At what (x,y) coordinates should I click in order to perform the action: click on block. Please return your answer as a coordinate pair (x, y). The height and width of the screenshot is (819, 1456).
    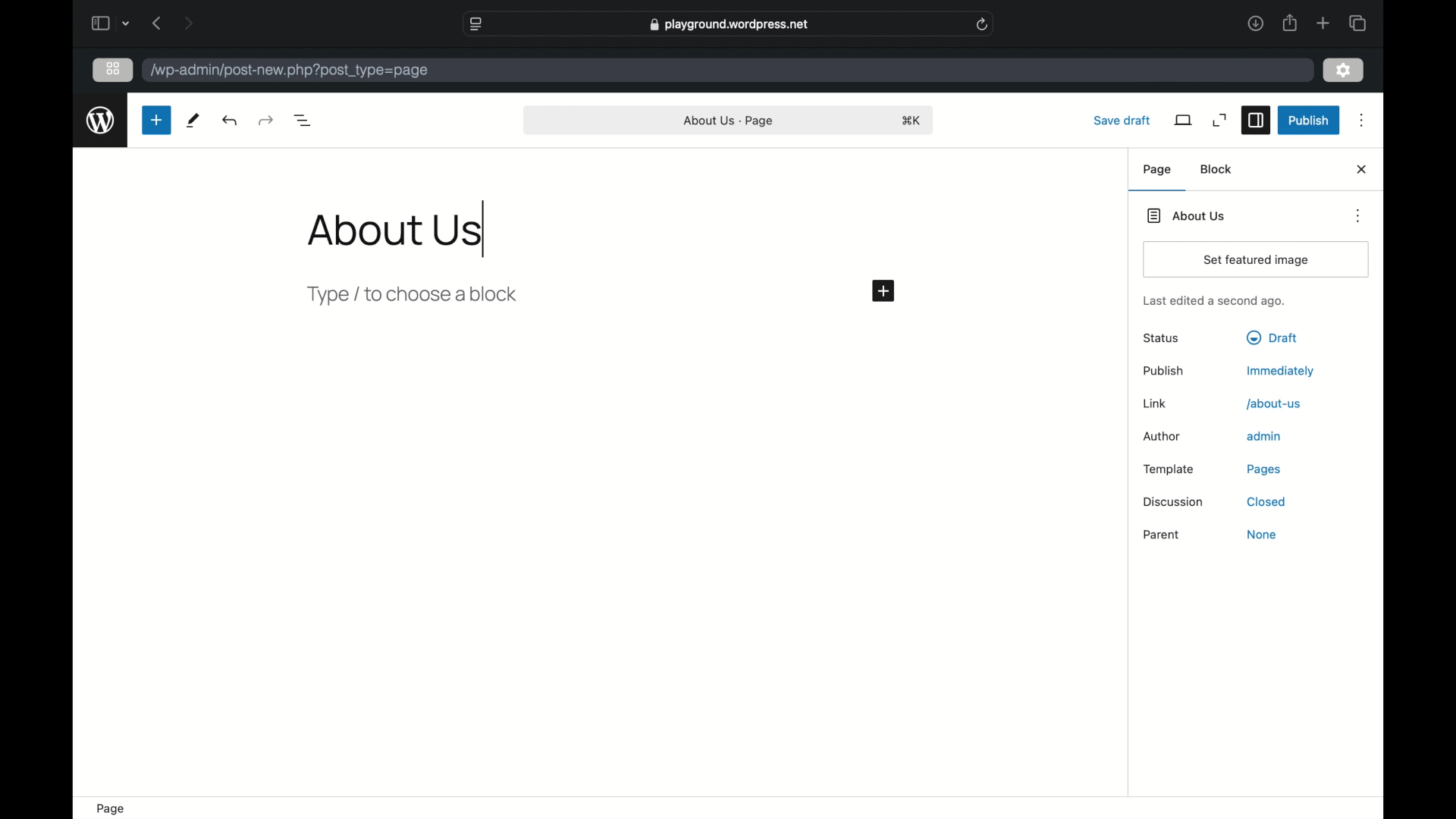
    Looking at the image, I should click on (1217, 169).